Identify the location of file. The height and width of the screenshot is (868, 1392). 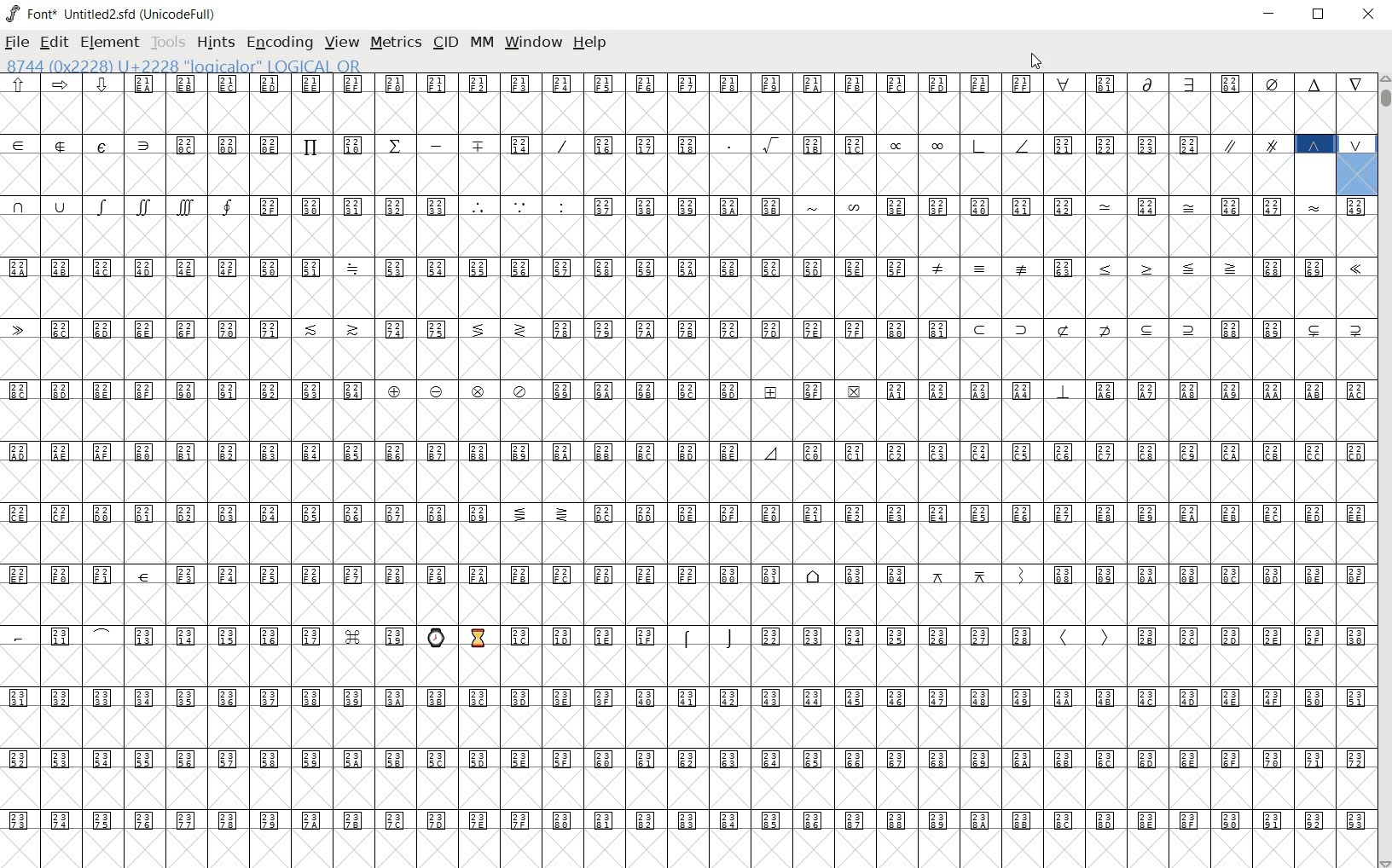
(18, 42).